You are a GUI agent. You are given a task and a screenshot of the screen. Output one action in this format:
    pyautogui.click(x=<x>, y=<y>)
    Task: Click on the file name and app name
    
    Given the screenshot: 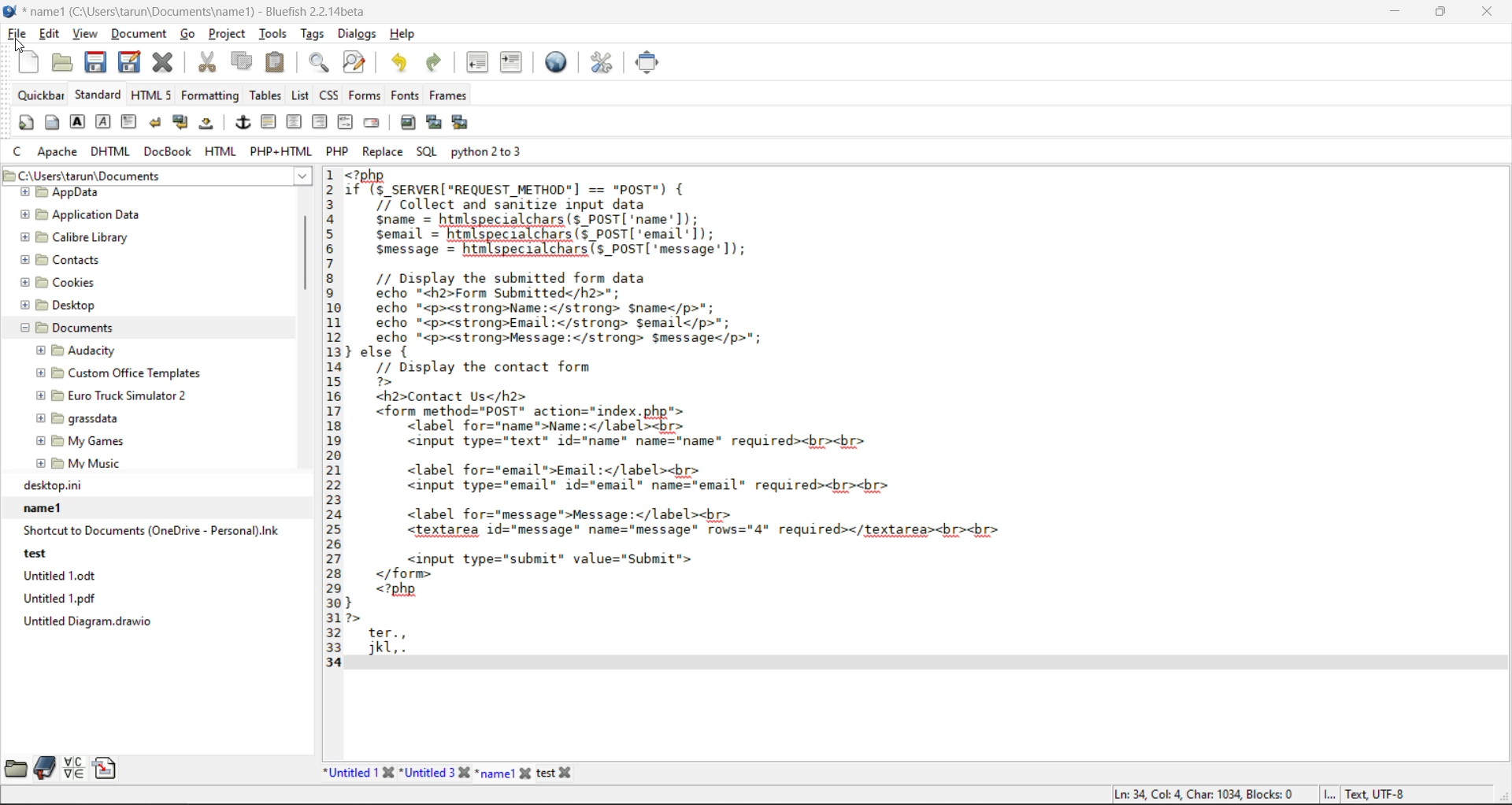 What is the action you would take?
    pyautogui.click(x=195, y=12)
    